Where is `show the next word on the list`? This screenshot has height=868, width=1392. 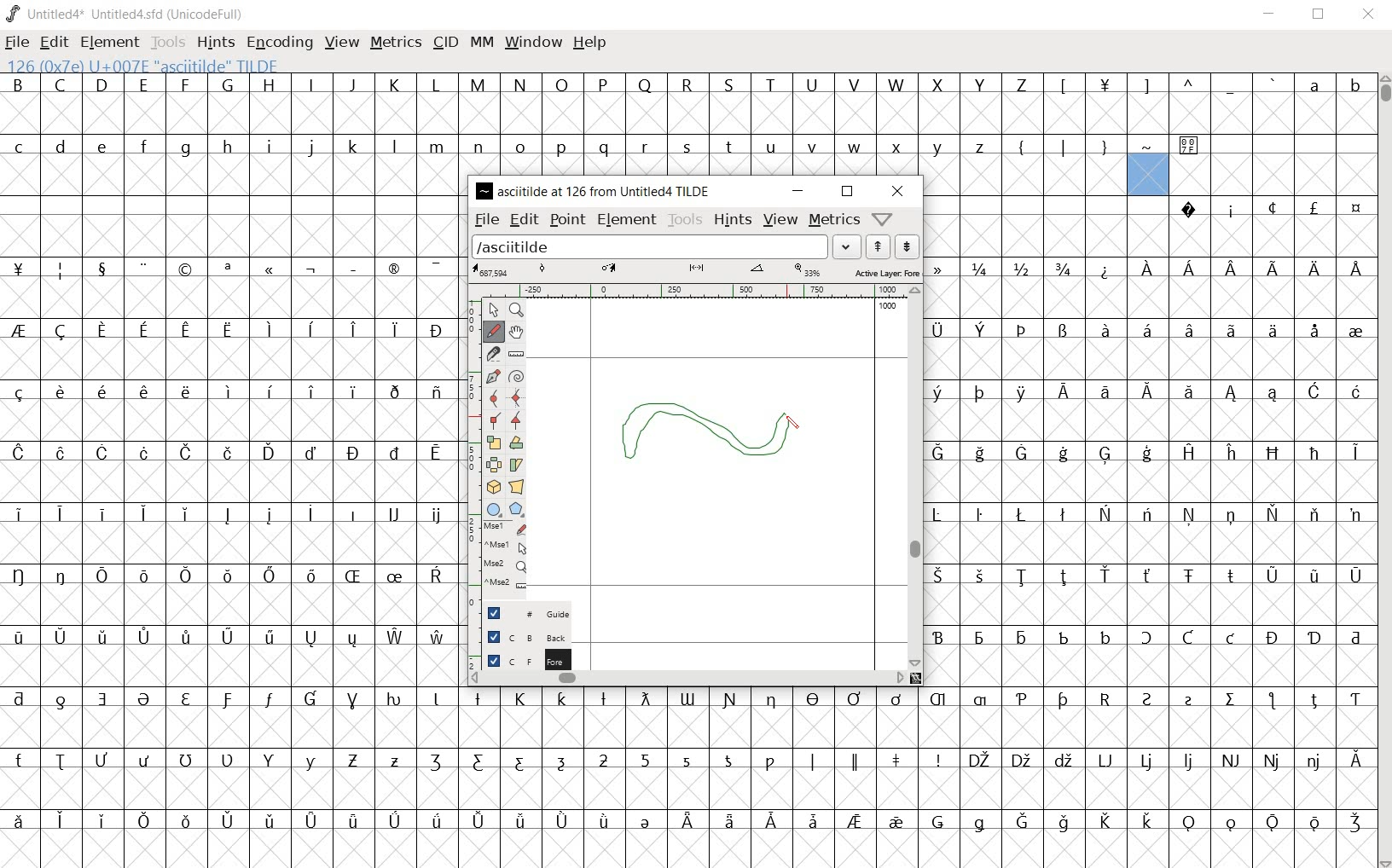
show the next word on the list is located at coordinates (878, 246).